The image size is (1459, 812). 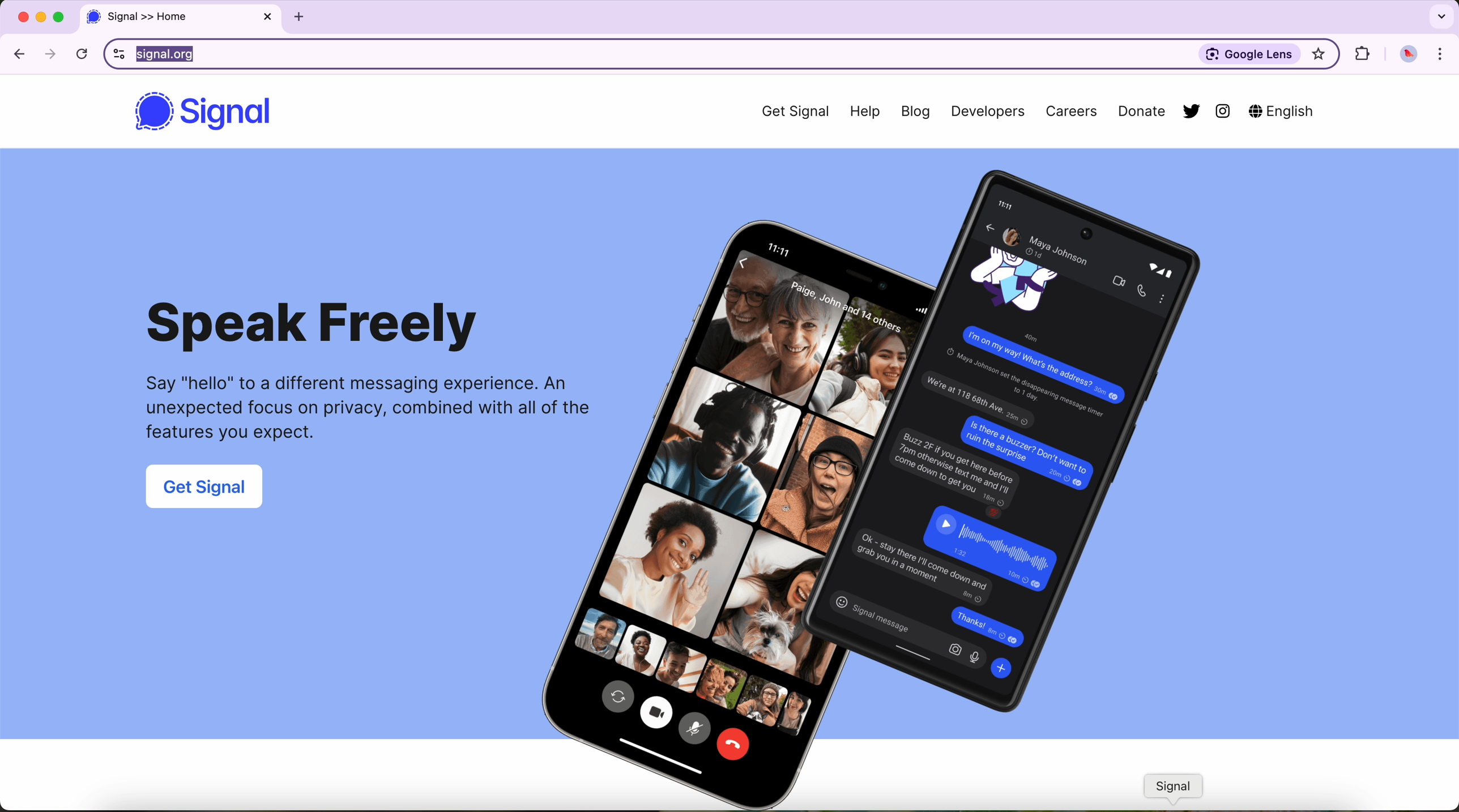 What do you see at coordinates (867, 111) in the screenshot?
I see `Help` at bounding box center [867, 111].